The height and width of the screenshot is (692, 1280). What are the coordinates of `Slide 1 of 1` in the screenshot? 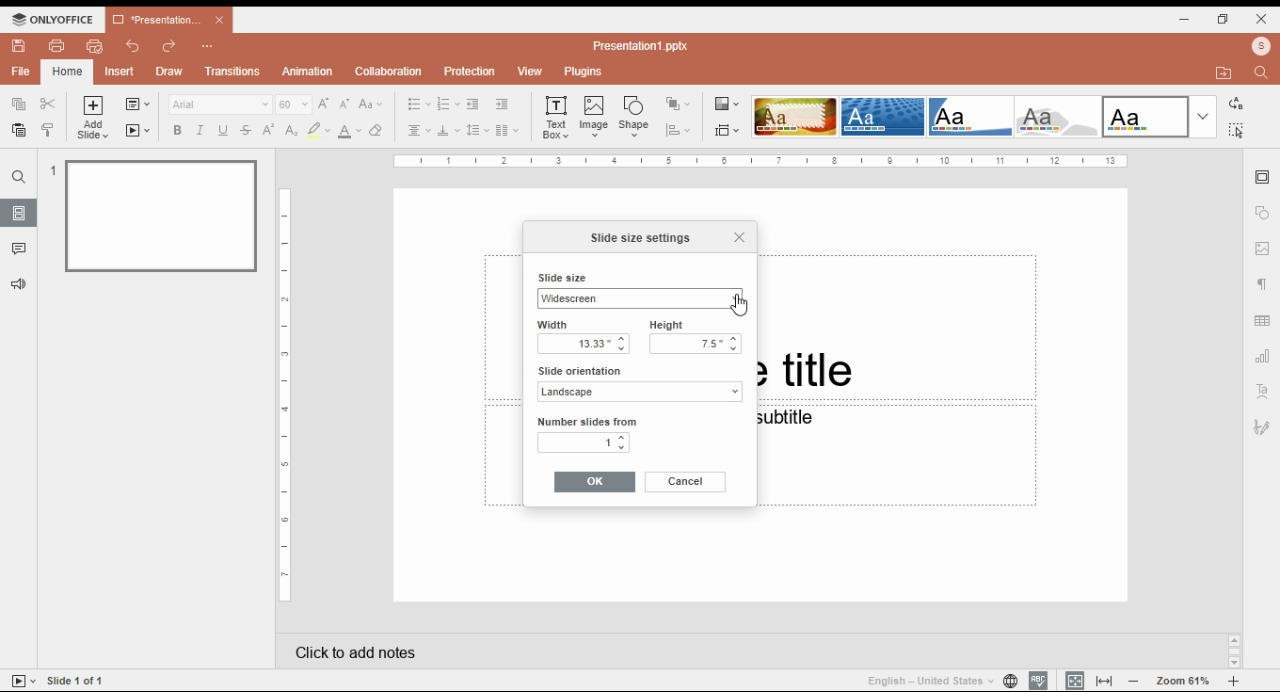 It's located at (79, 680).